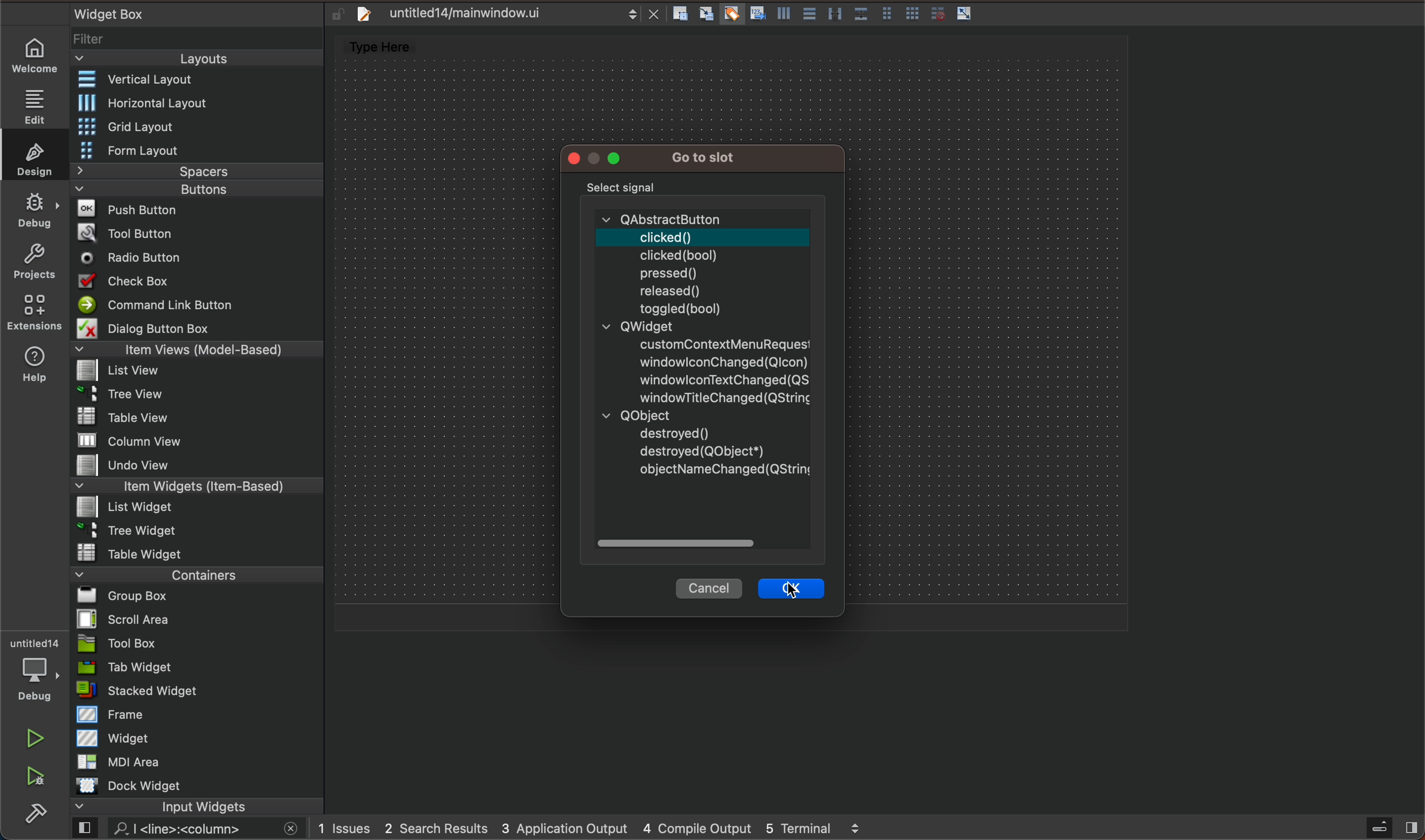  Describe the element at coordinates (33, 818) in the screenshot. I see `build` at that location.